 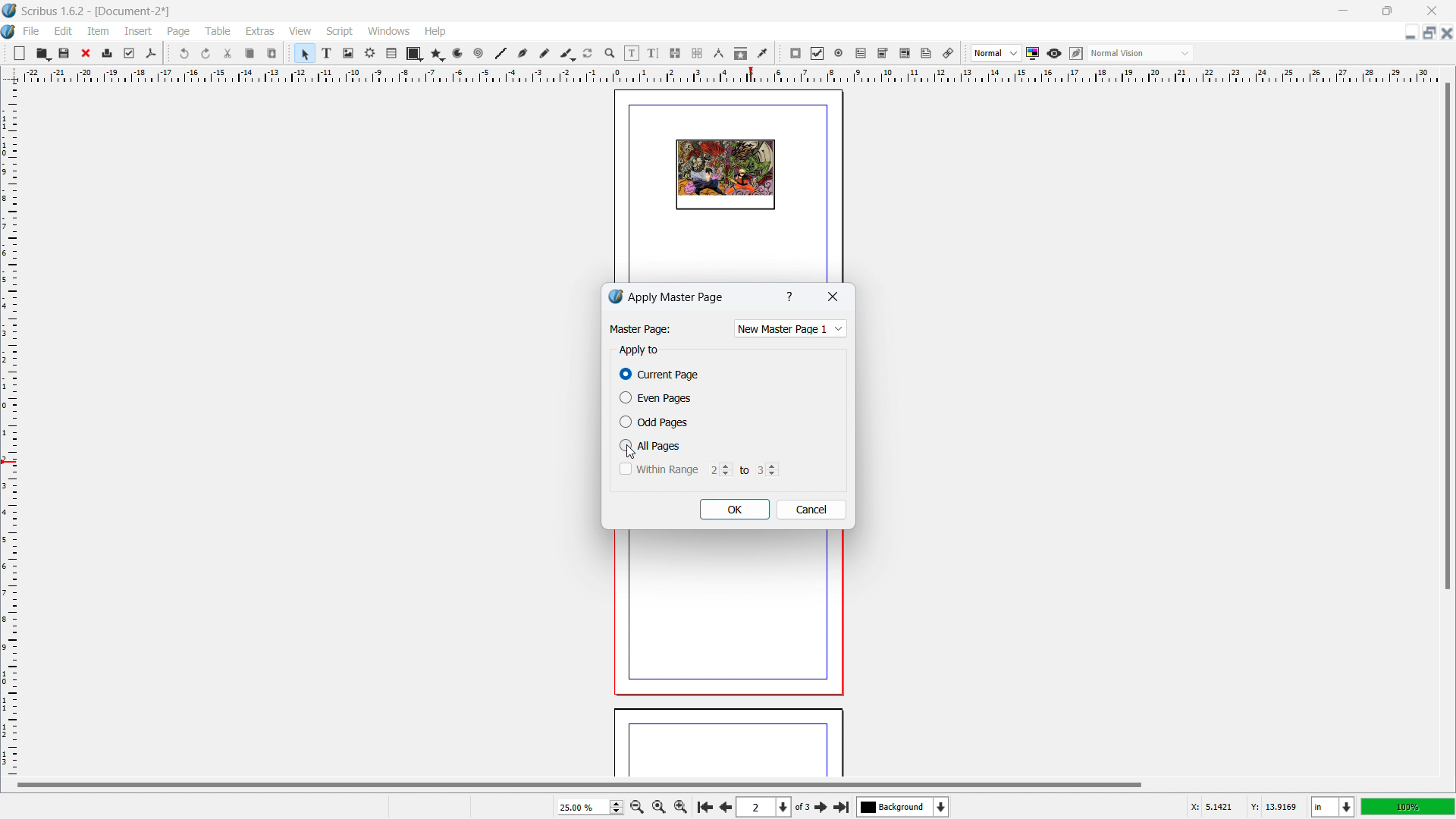 What do you see at coordinates (436, 32) in the screenshot?
I see `help` at bounding box center [436, 32].